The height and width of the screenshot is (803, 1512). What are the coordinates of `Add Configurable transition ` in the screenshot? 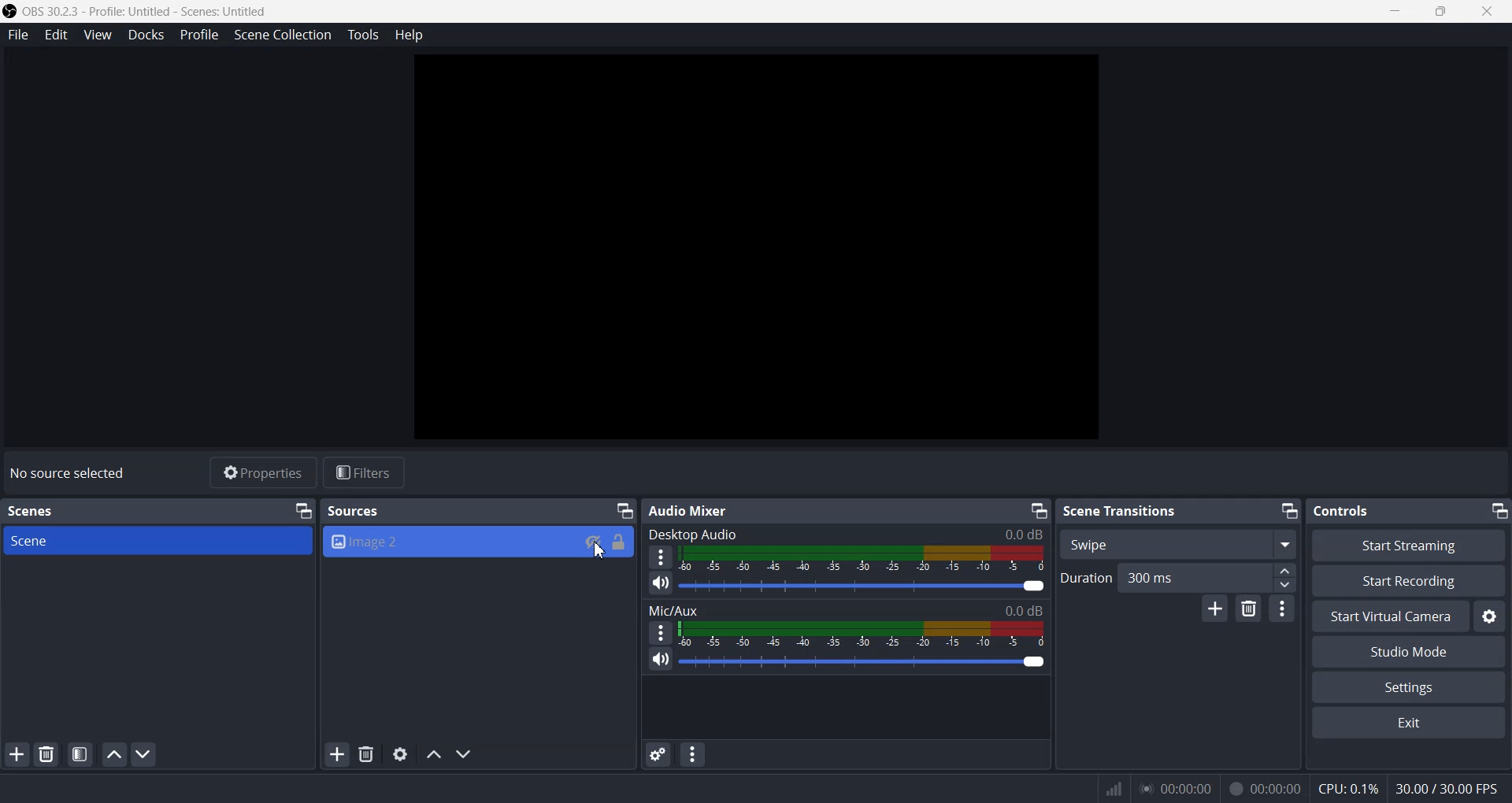 It's located at (1213, 609).